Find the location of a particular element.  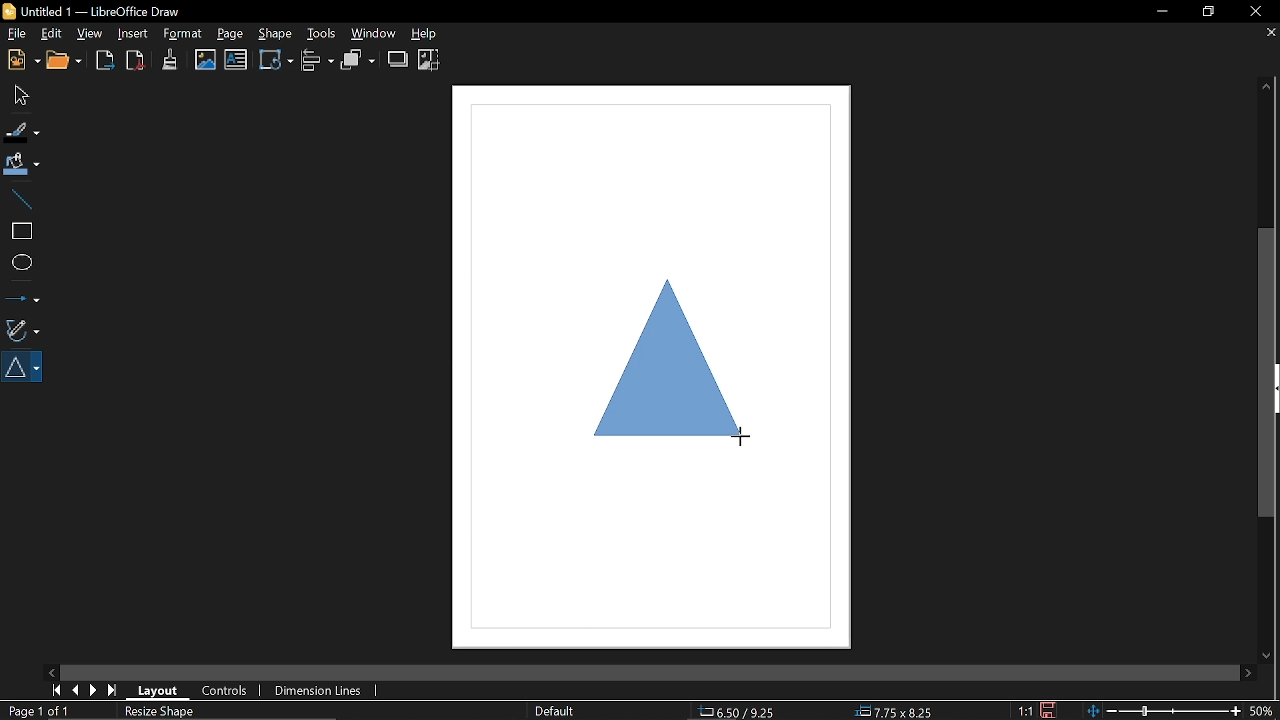

Export is located at coordinates (106, 62).